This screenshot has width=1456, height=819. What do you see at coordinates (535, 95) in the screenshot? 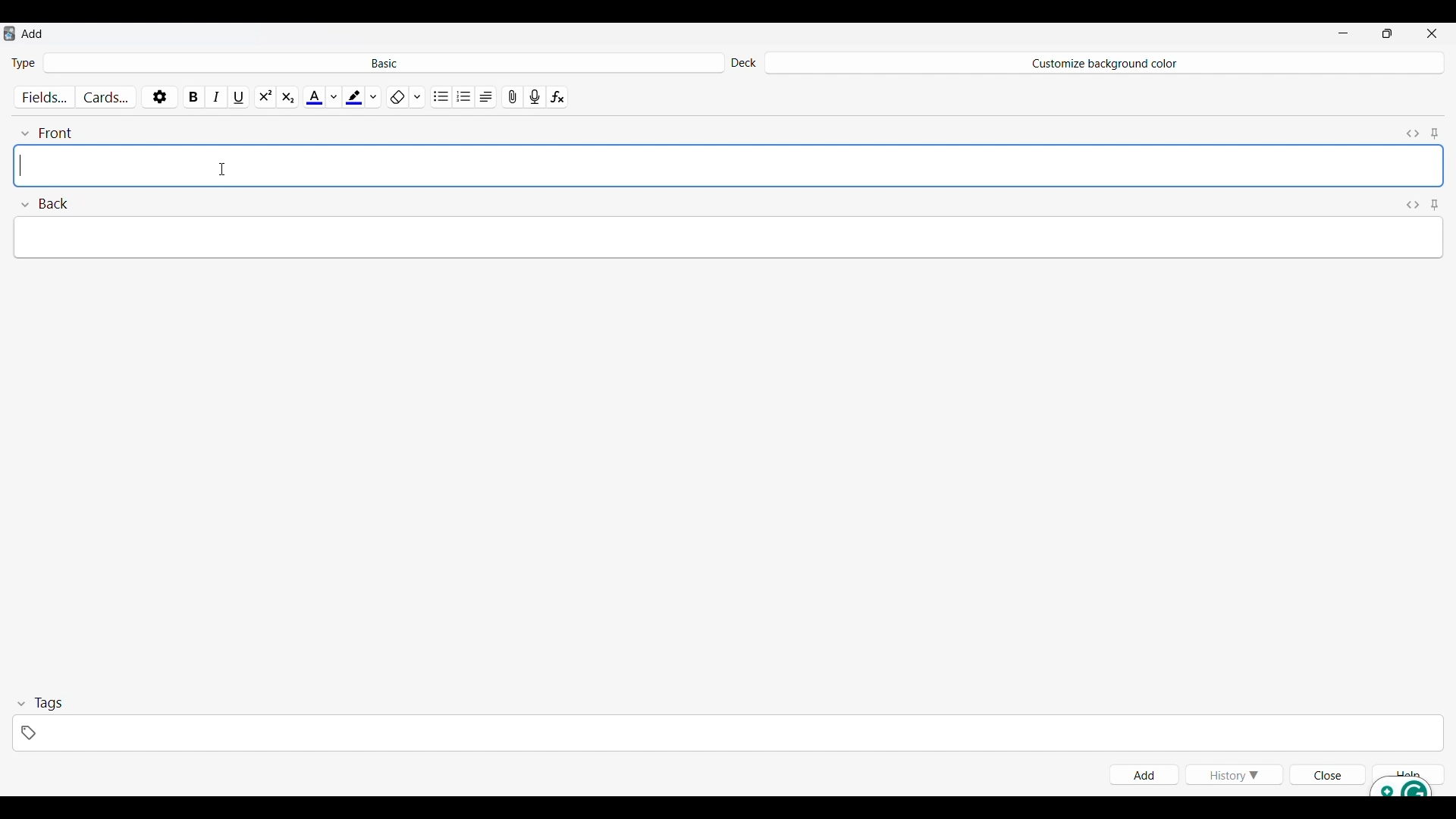
I see `Record audio` at bounding box center [535, 95].